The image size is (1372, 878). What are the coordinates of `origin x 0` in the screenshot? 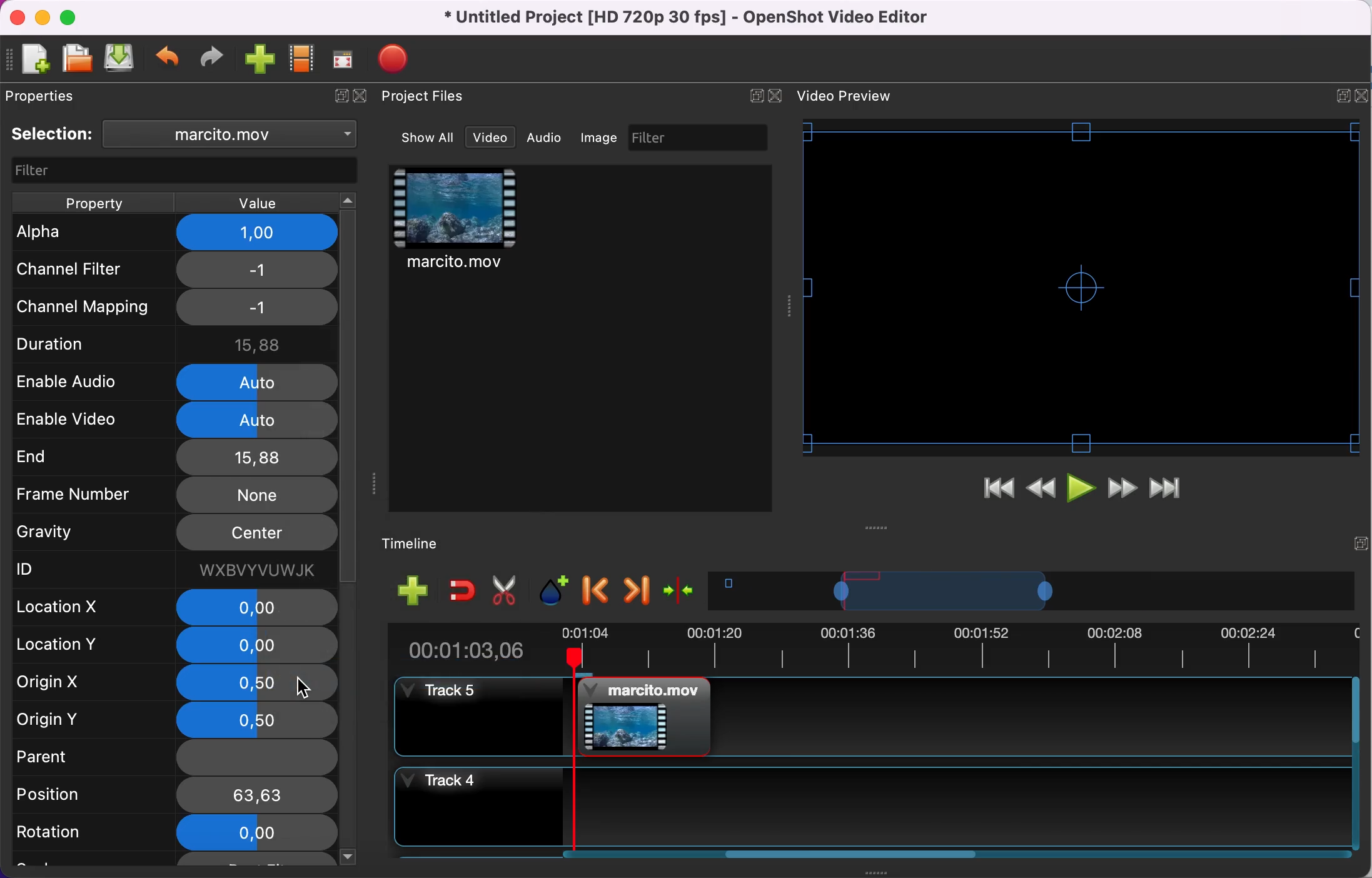 It's located at (174, 683).